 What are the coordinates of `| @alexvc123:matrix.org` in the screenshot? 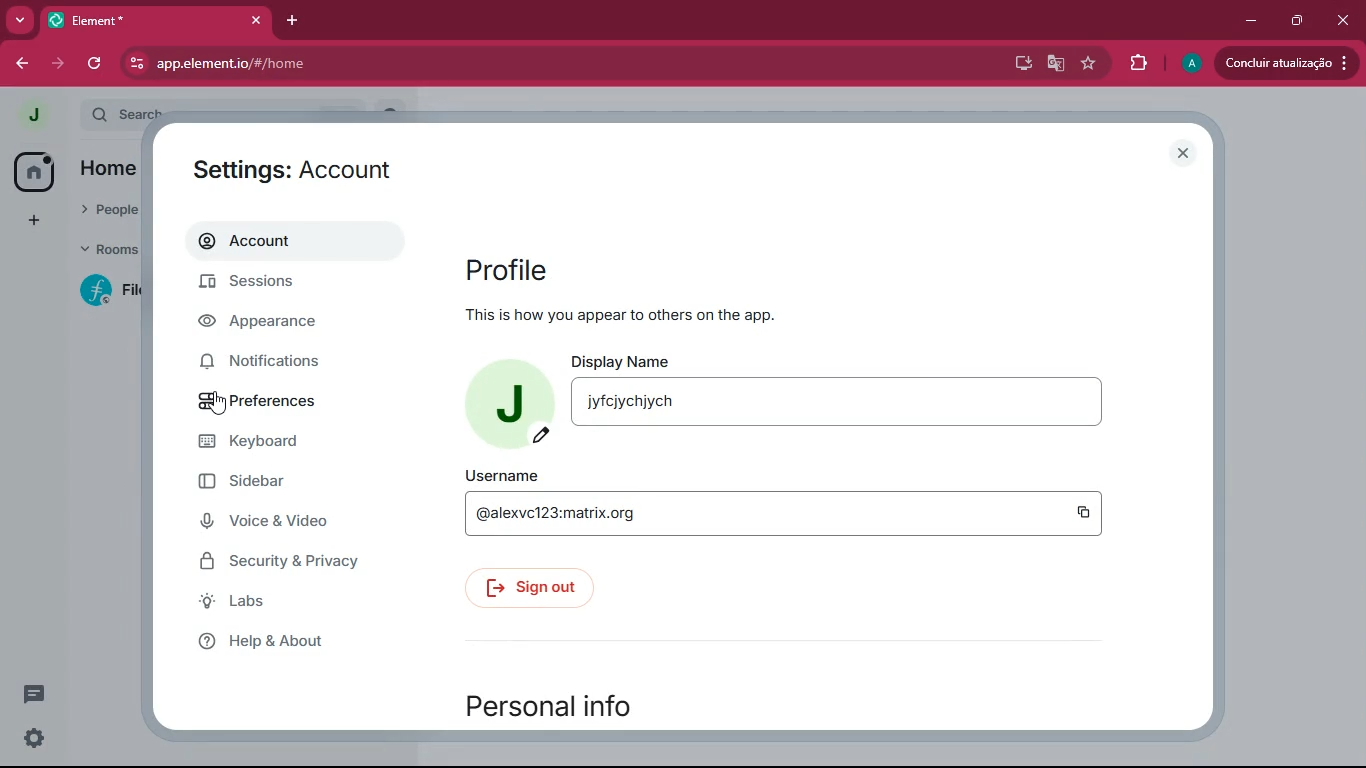 It's located at (598, 513).